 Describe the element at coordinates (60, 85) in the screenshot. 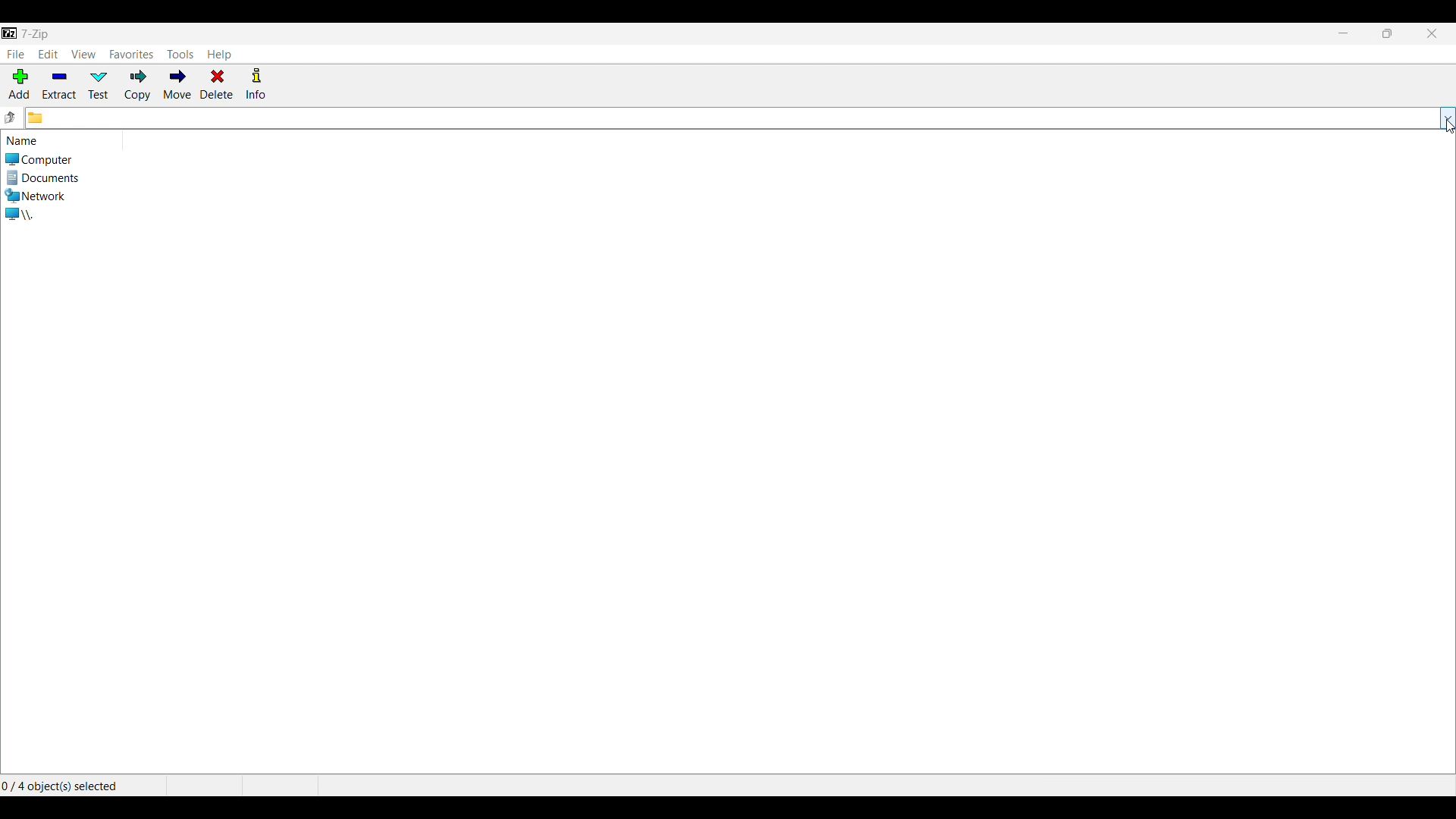

I see `Extract` at that location.